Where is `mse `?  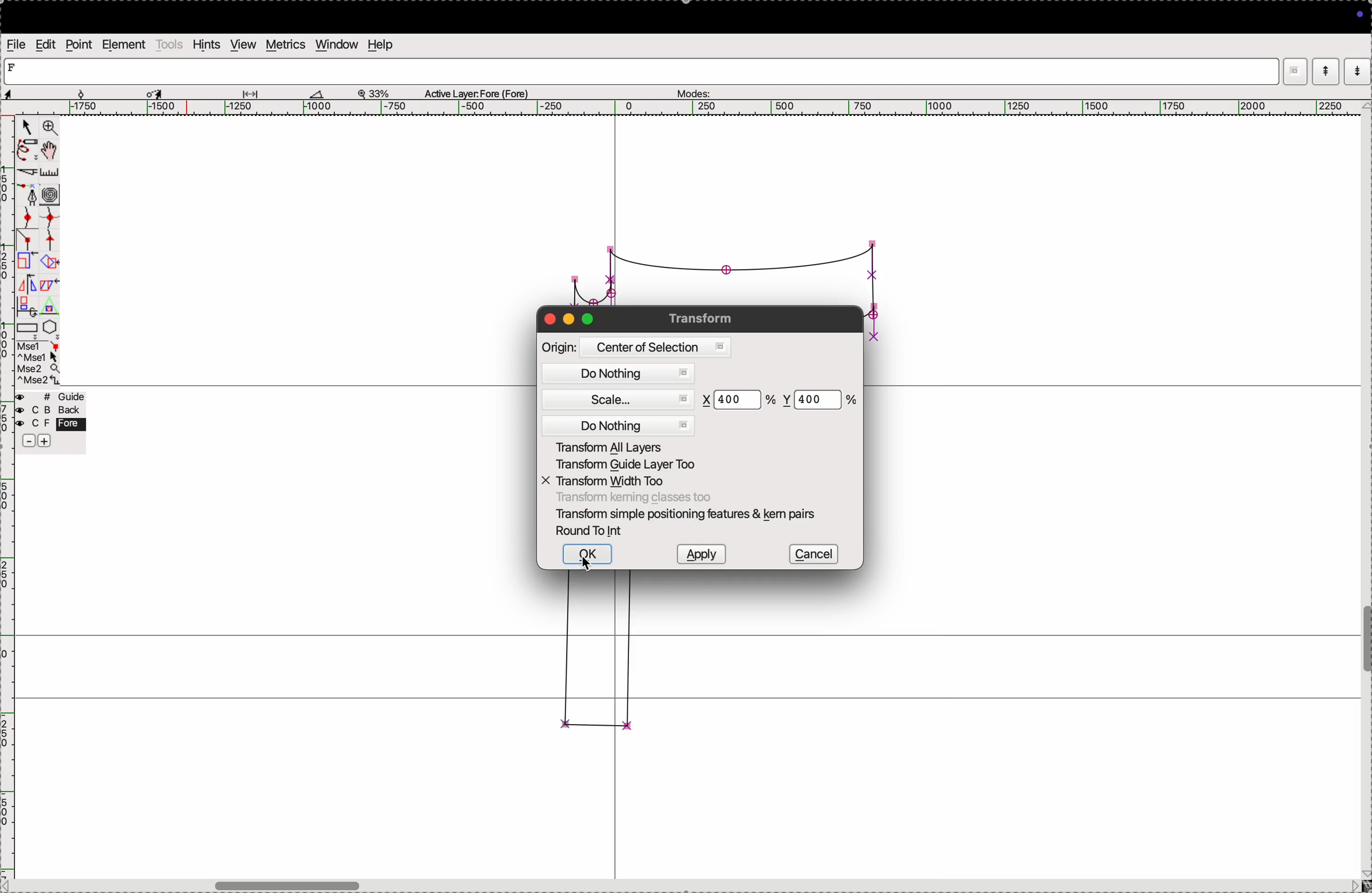
mse  is located at coordinates (39, 363).